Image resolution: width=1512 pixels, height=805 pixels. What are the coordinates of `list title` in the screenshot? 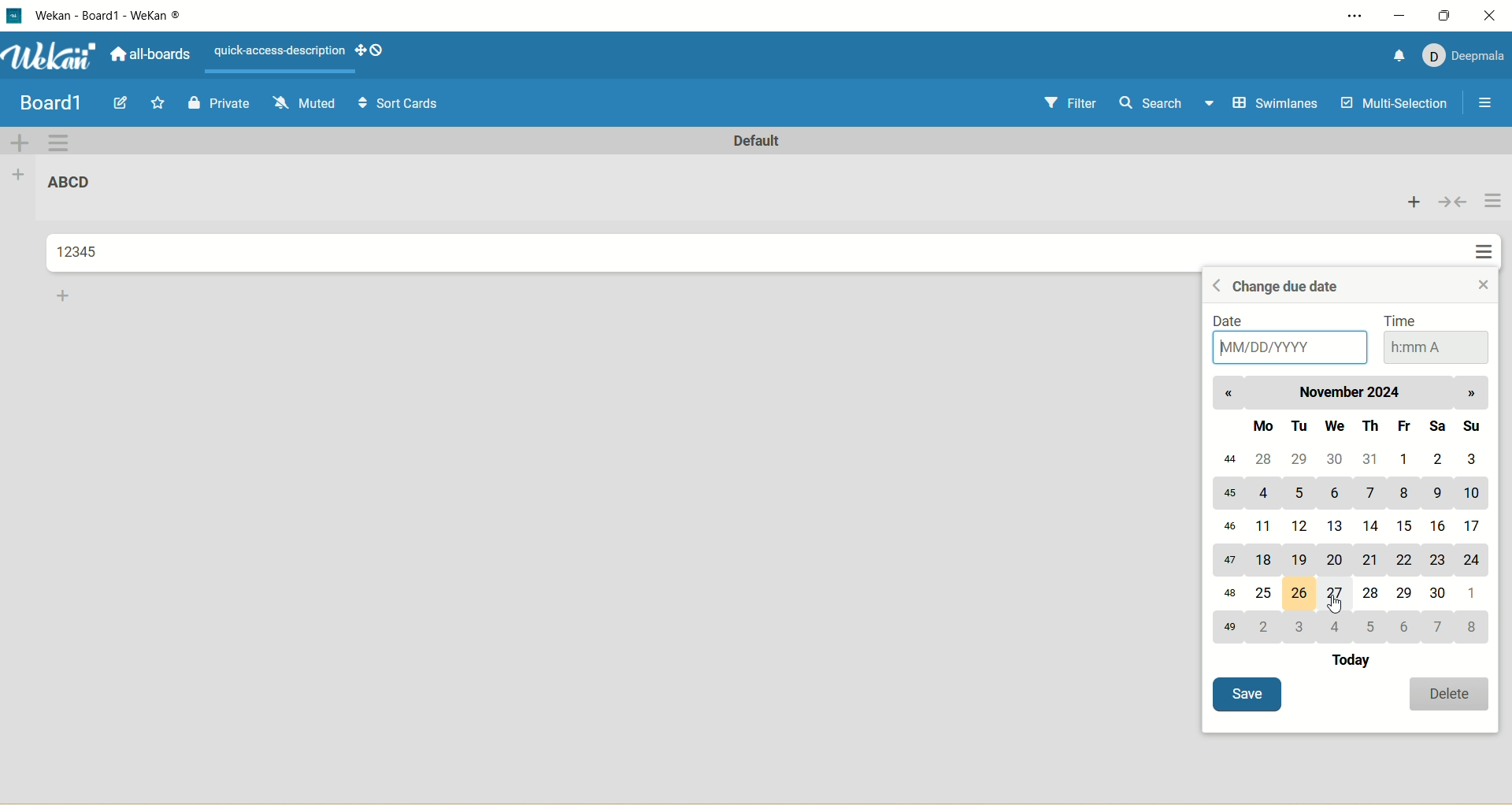 It's located at (70, 181).